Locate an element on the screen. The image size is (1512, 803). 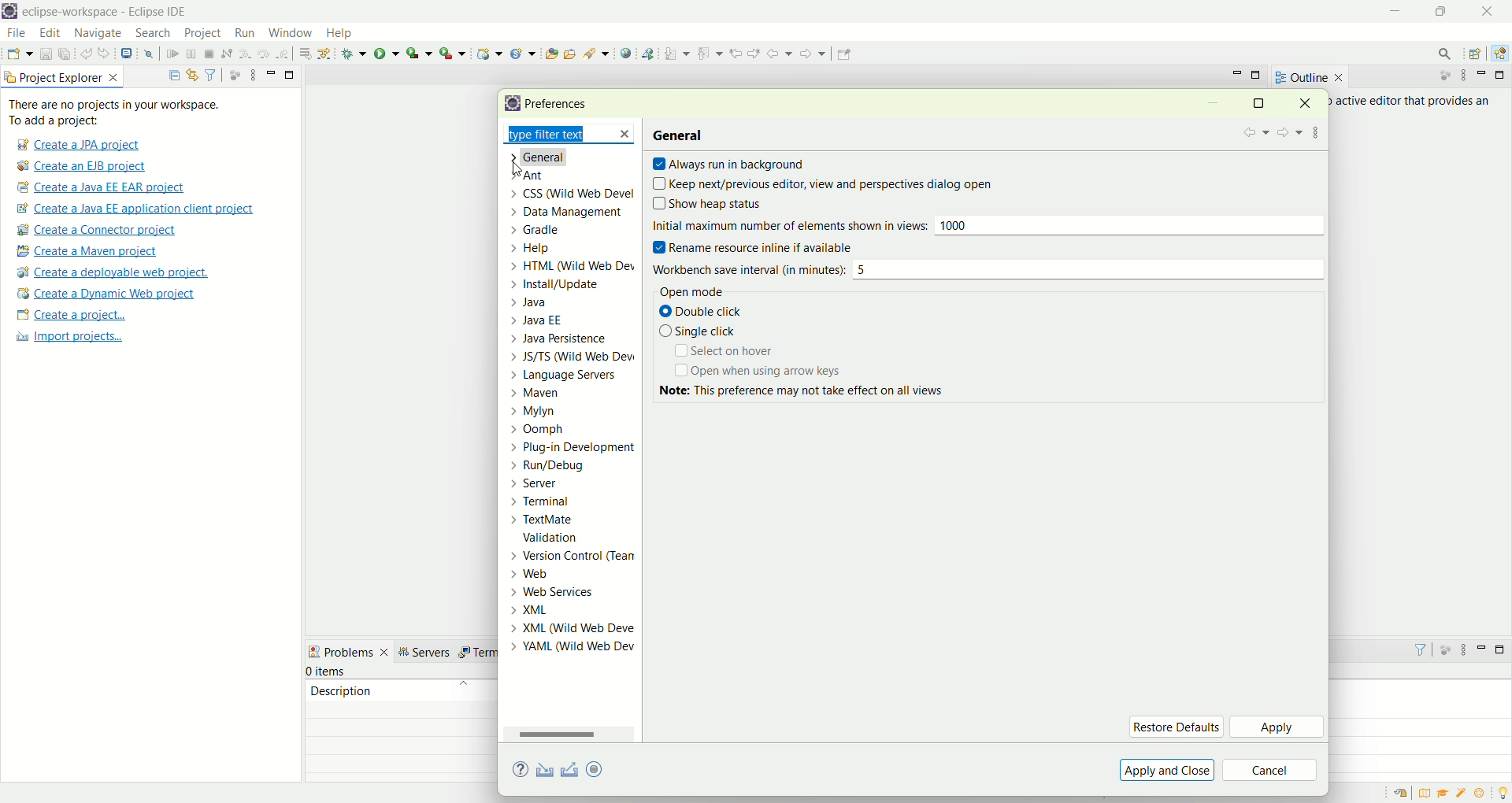
tutorials is located at coordinates (1443, 794).